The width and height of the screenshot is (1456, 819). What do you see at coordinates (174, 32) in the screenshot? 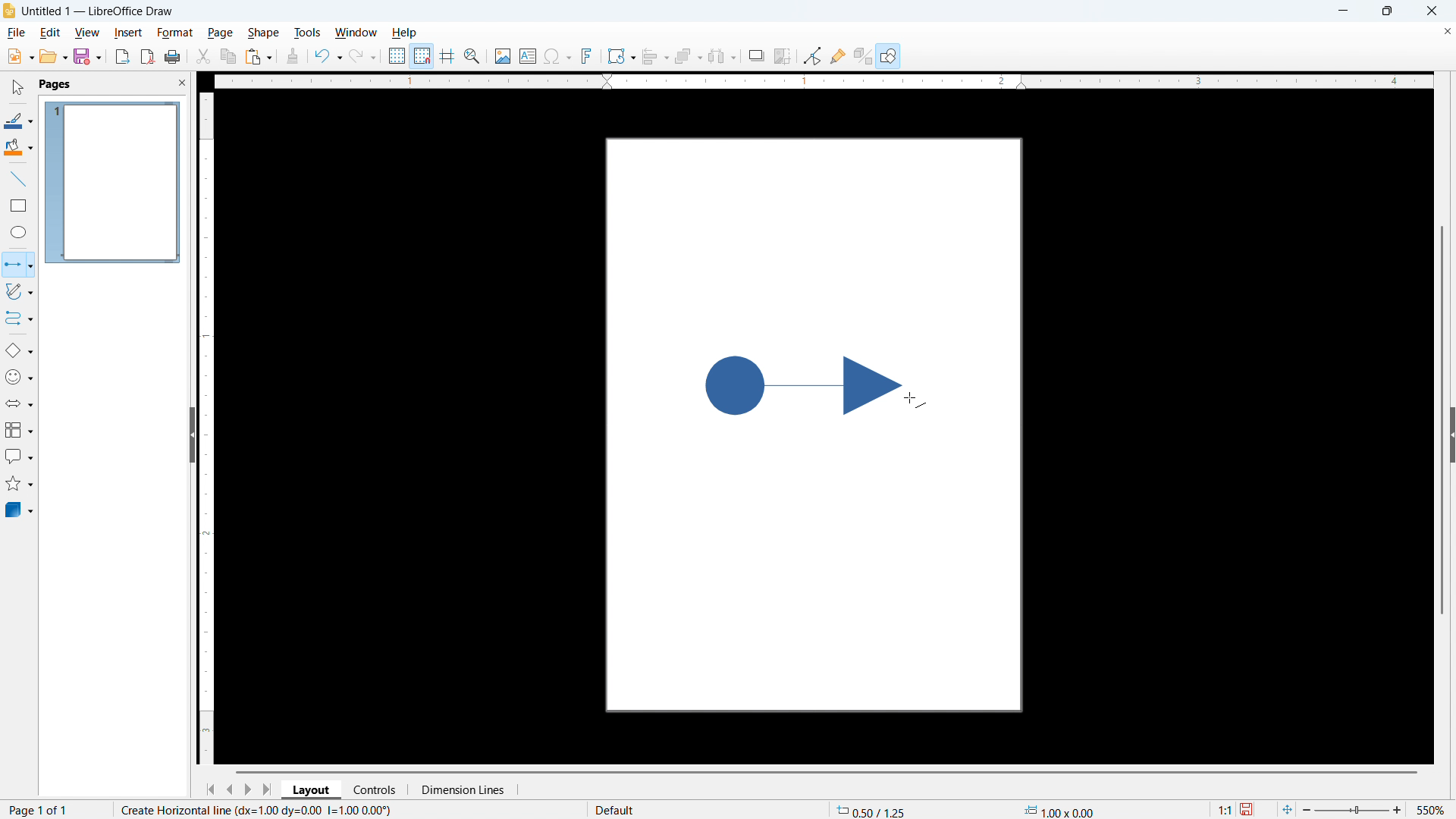
I see `Format ` at bounding box center [174, 32].